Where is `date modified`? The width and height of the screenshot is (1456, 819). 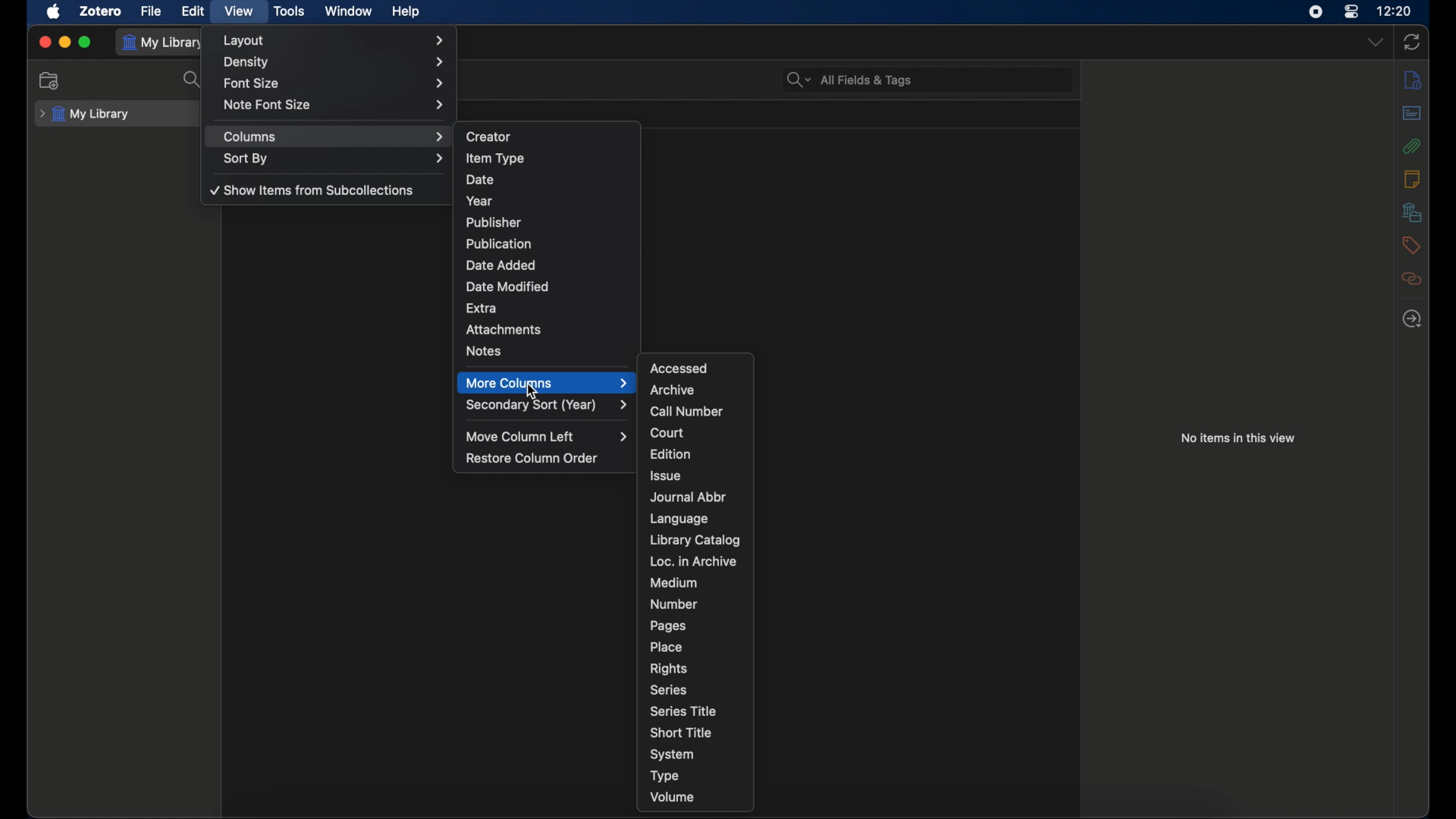 date modified is located at coordinates (509, 287).